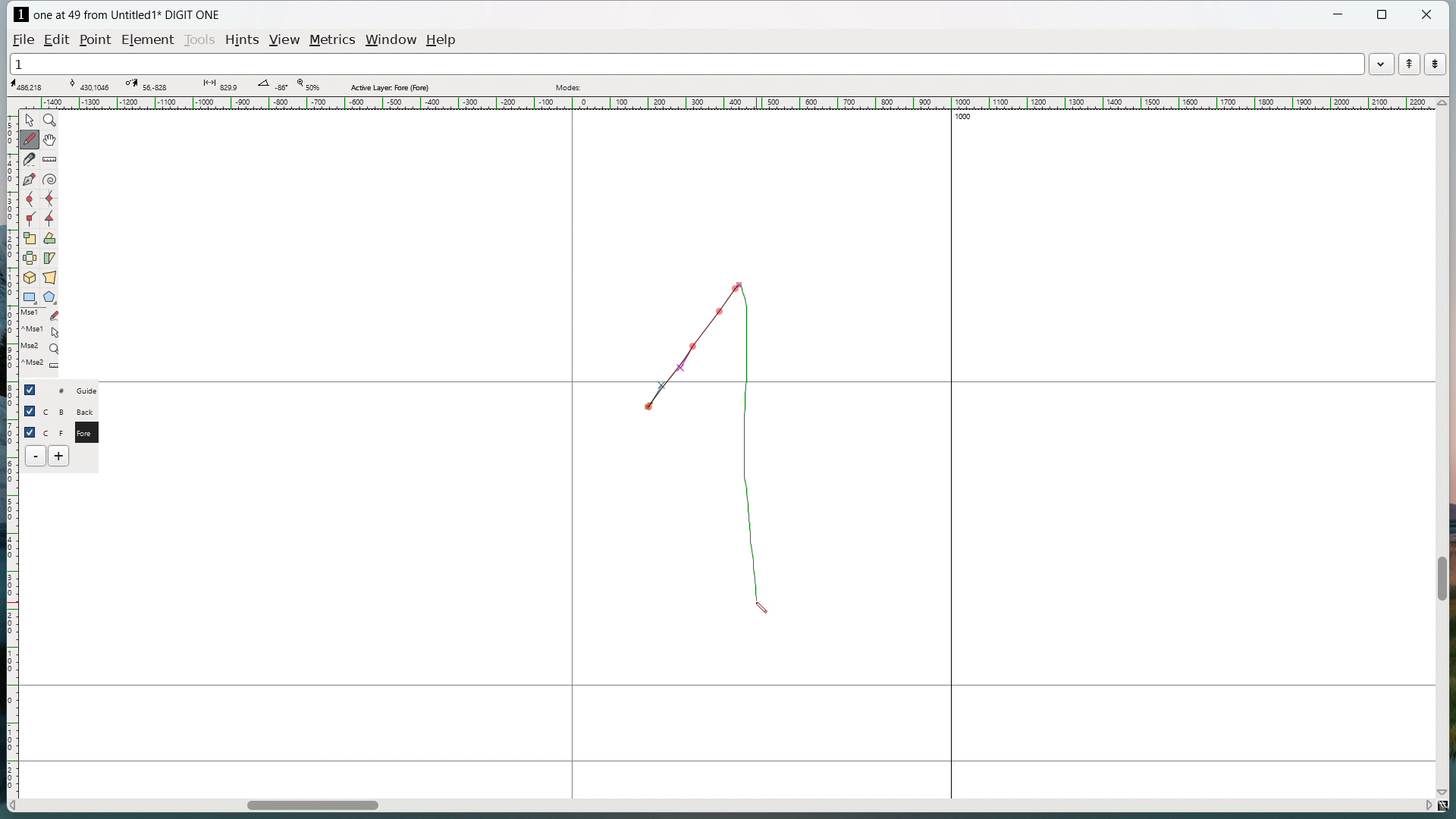 The height and width of the screenshot is (819, 1456). I want to click on checkbox, so click(30, 431).